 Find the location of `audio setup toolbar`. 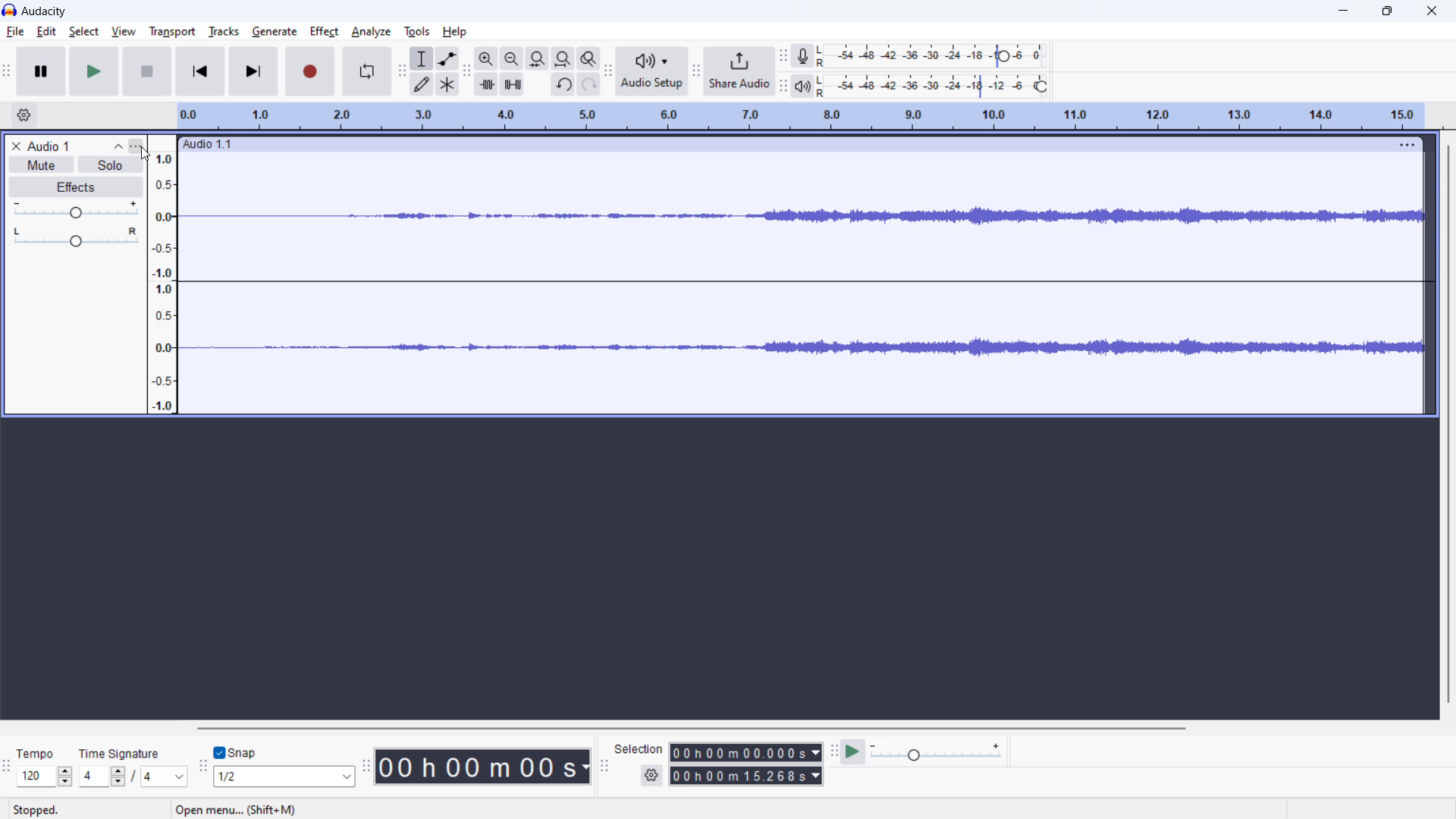

audio setup toolbar is located at coordinates (607, 72).